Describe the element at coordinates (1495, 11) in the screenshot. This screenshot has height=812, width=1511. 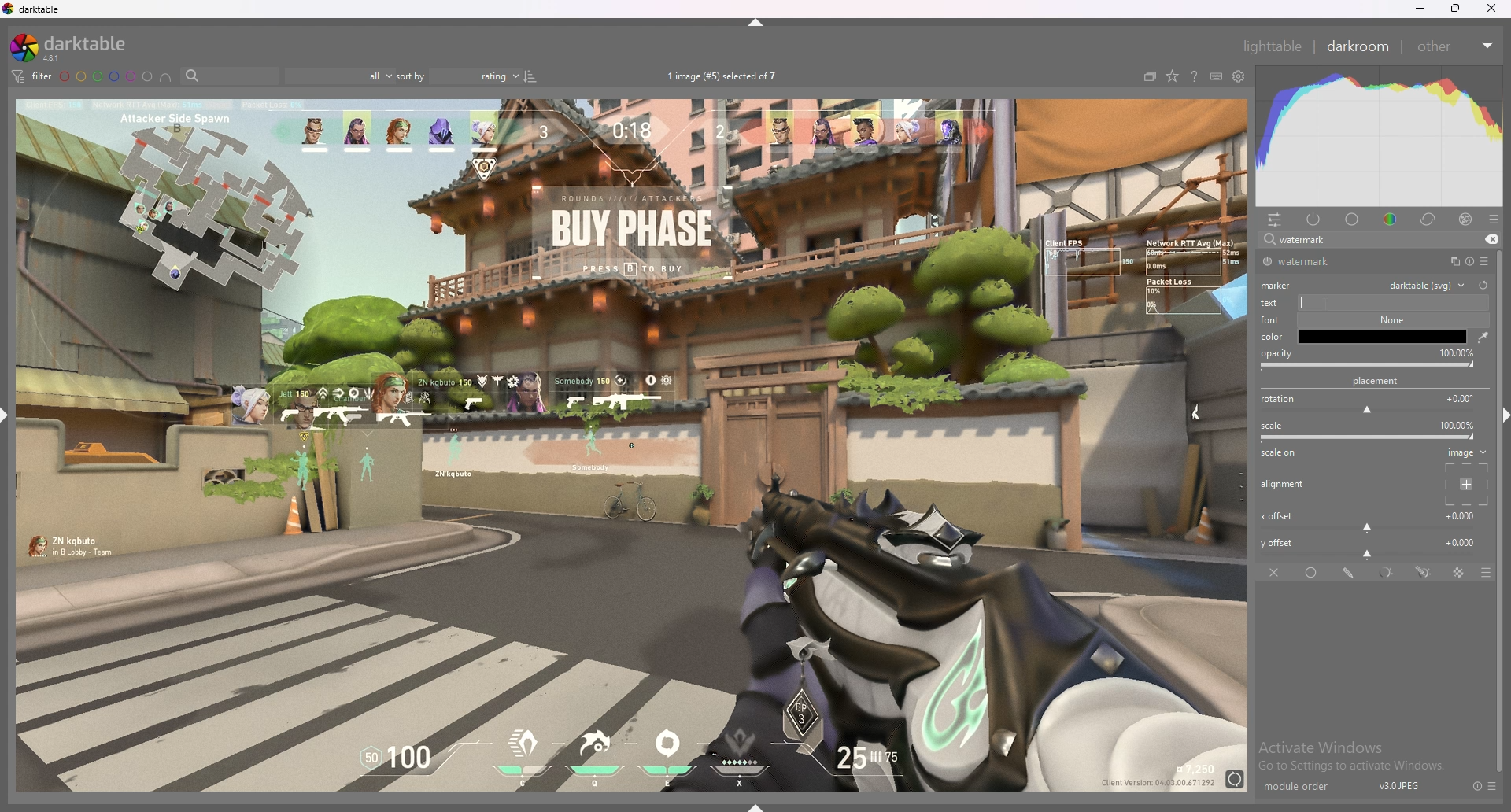
I see `Close` at that location.